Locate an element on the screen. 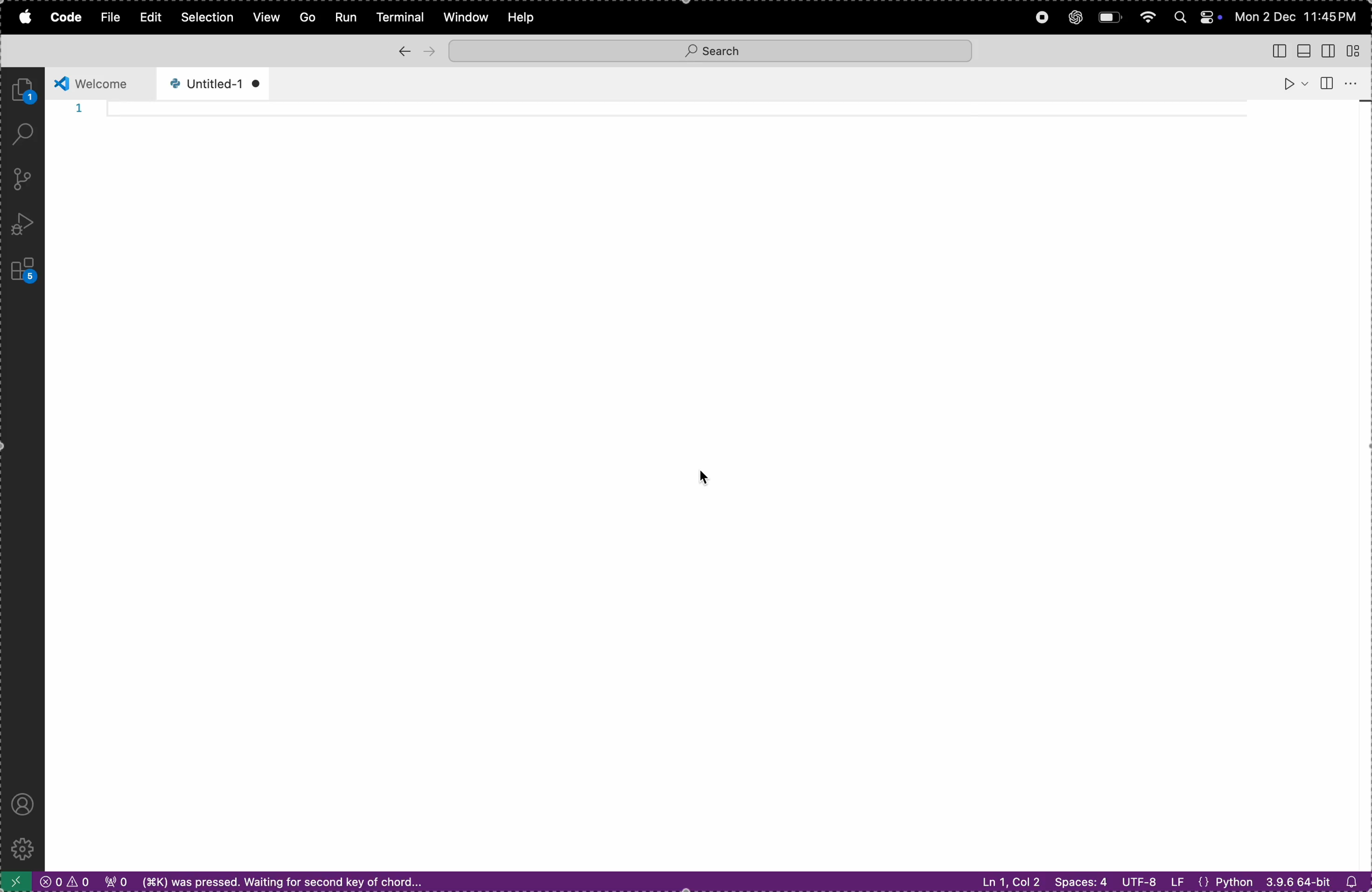 This screenshot has height=892, width=1372. date and time is located at coordinates (1299, 16).